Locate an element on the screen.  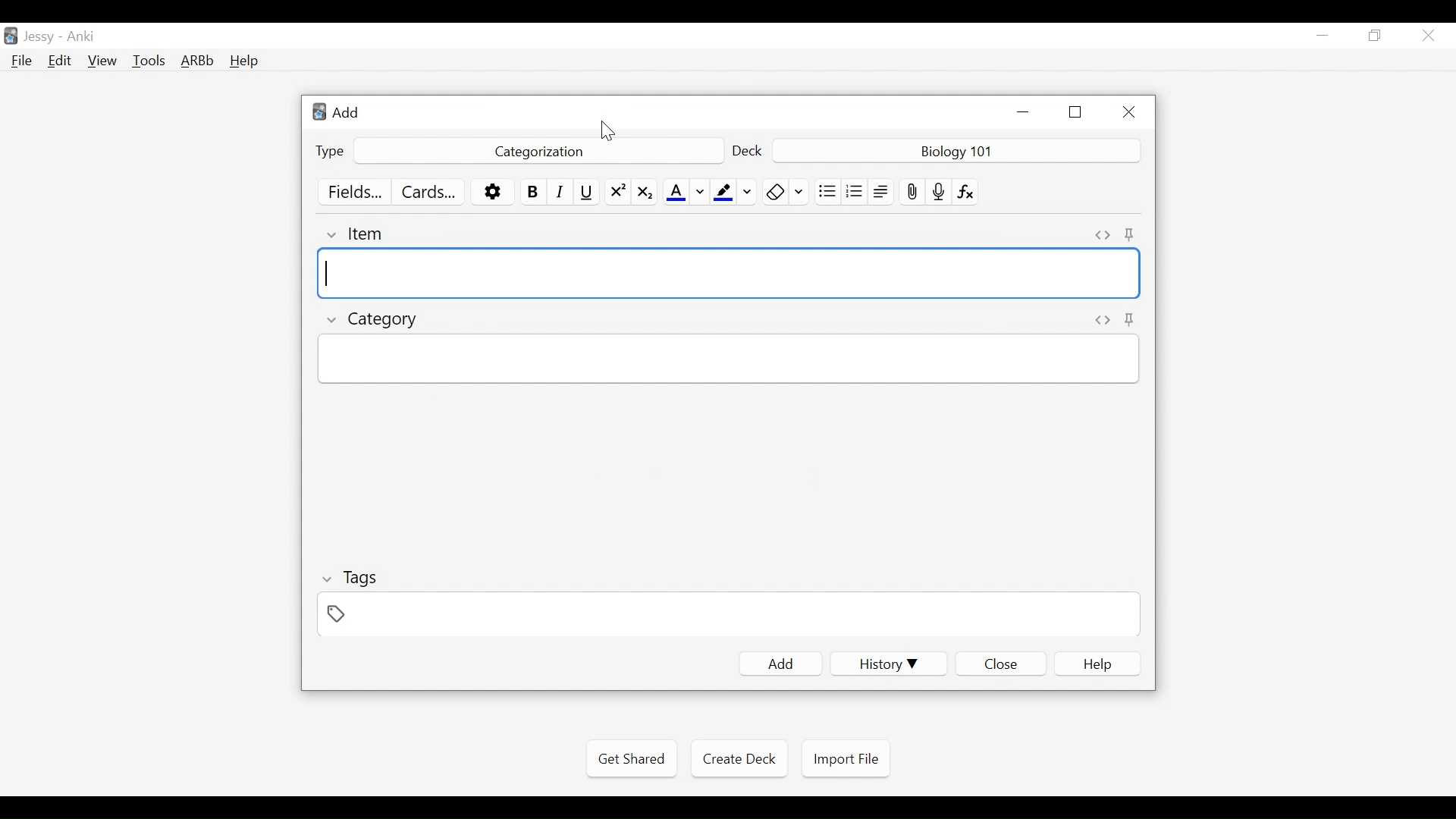
Close is located at coordinates (1000, 664).